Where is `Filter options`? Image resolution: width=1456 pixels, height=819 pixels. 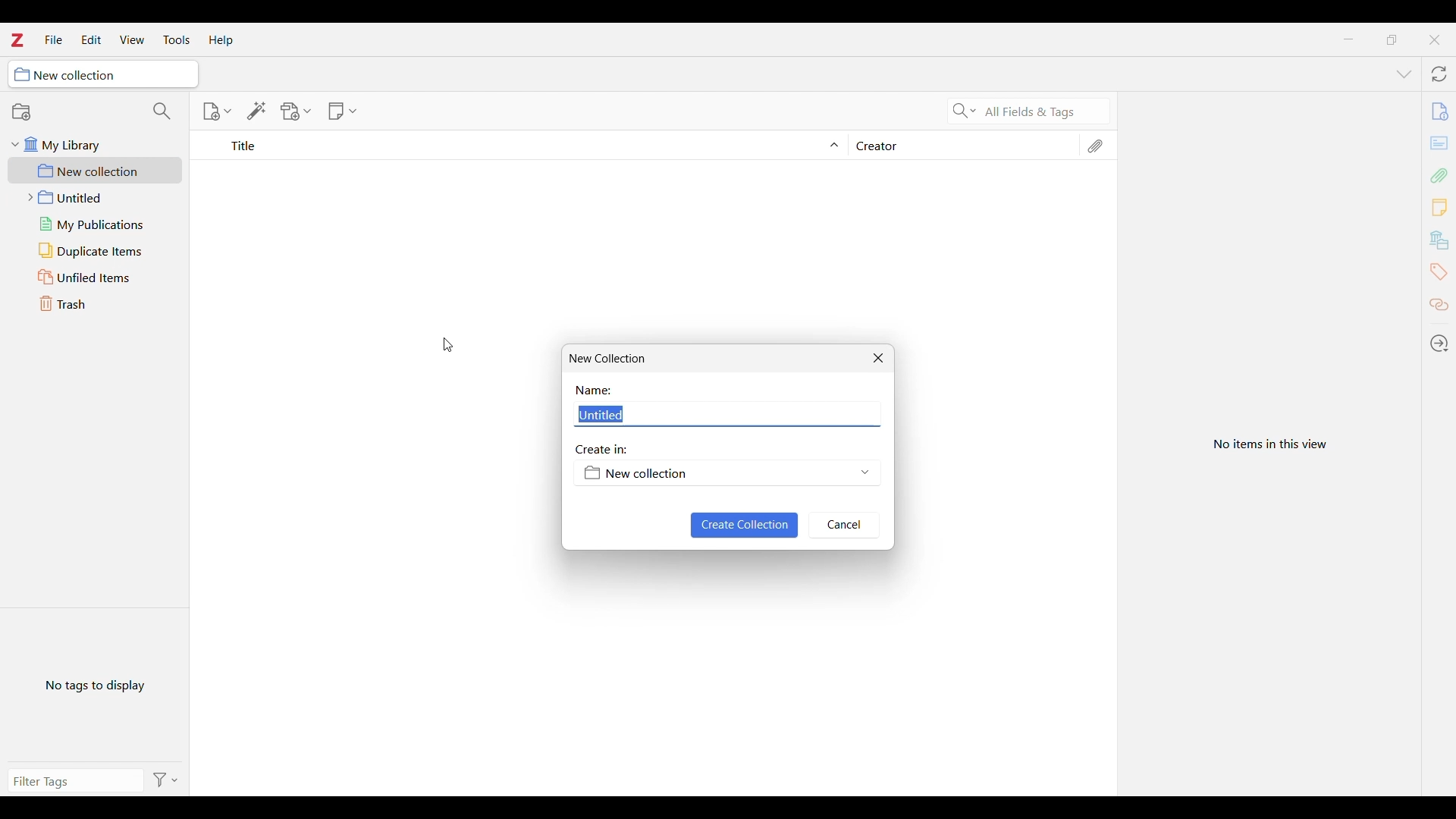
Filter options is located at coordinates (168, 780).